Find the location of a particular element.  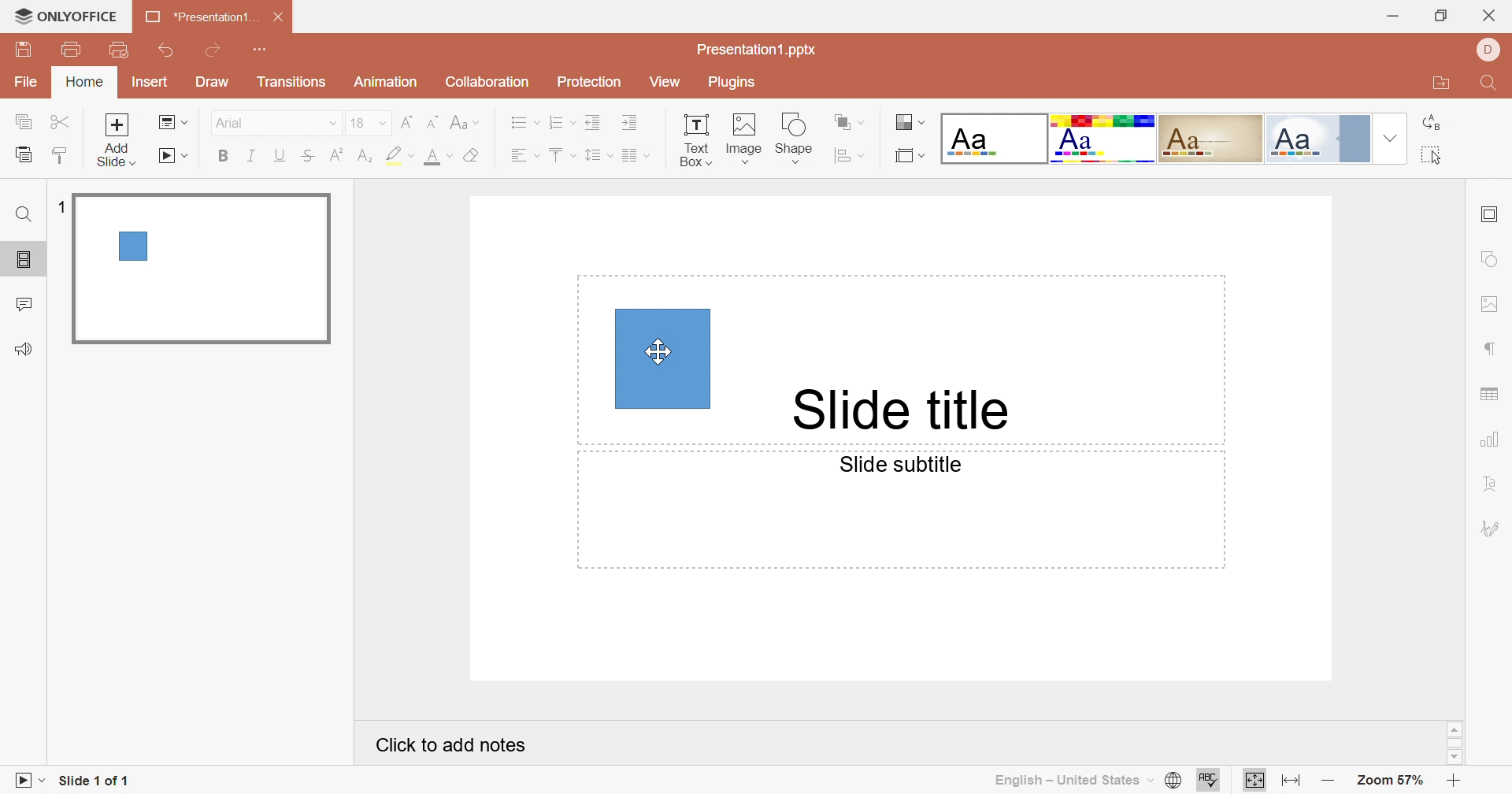

Protection is located at coordinates (592, 82).